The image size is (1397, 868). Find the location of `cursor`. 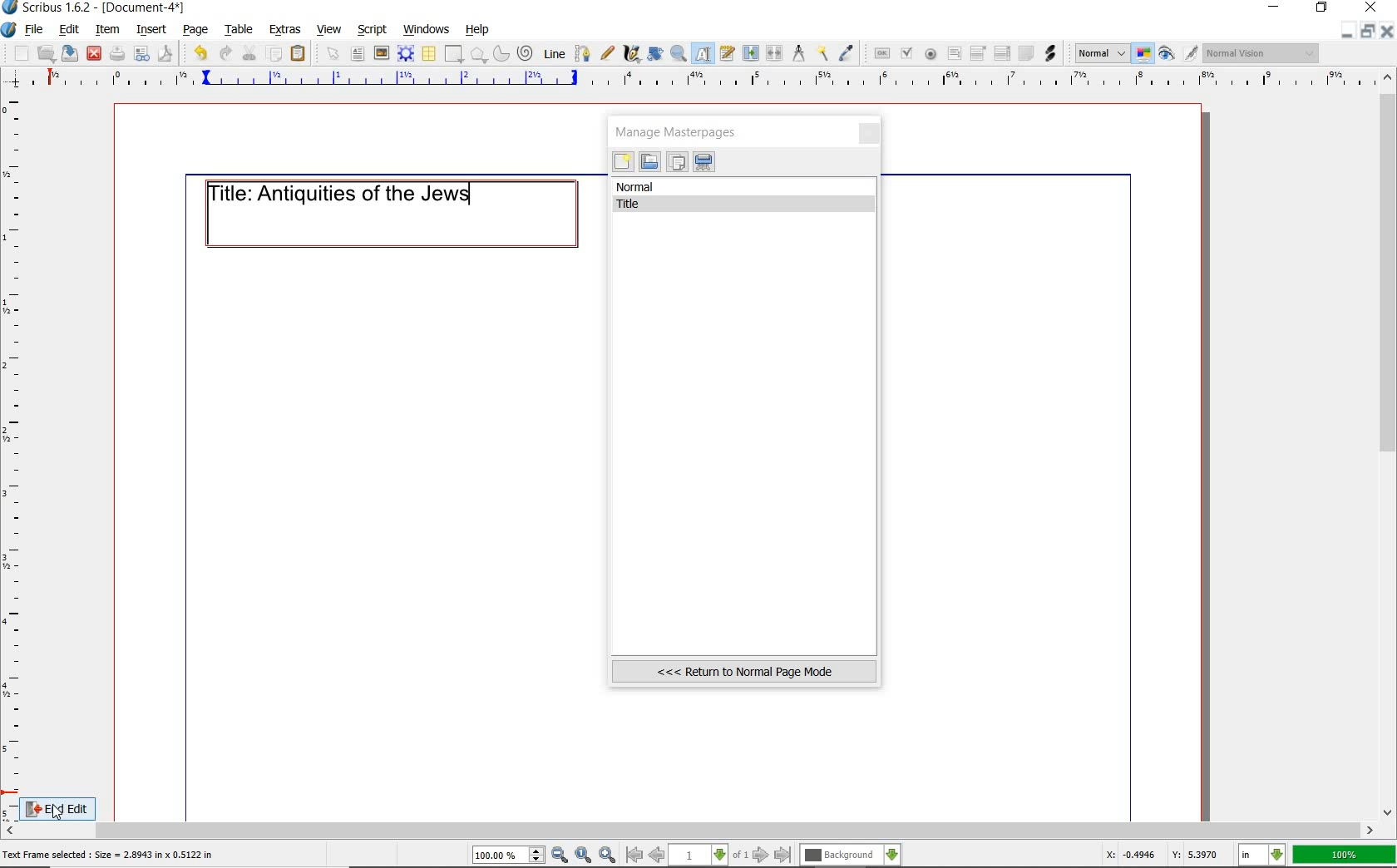

cursor is located at coordinates (58, 812).